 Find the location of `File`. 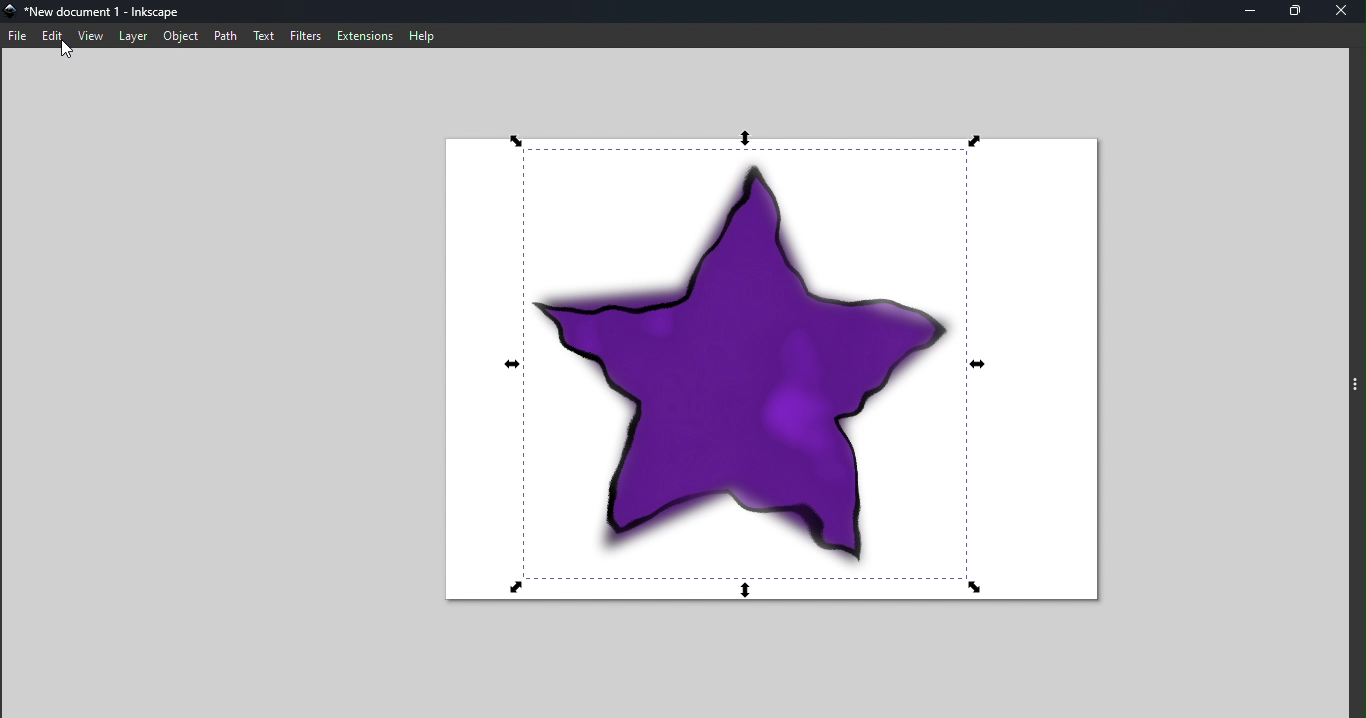

File is located at coordinates (18, 33).